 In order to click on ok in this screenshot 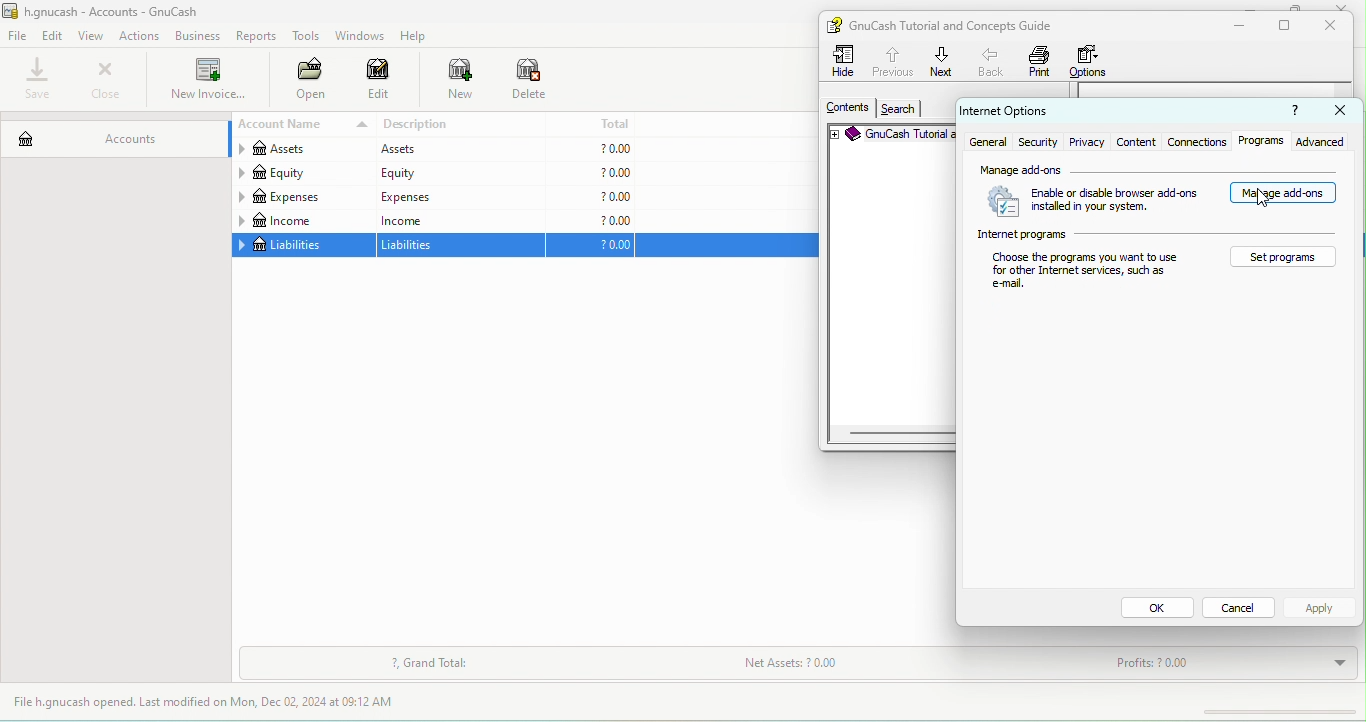, I will do `click(1157, 609)`.